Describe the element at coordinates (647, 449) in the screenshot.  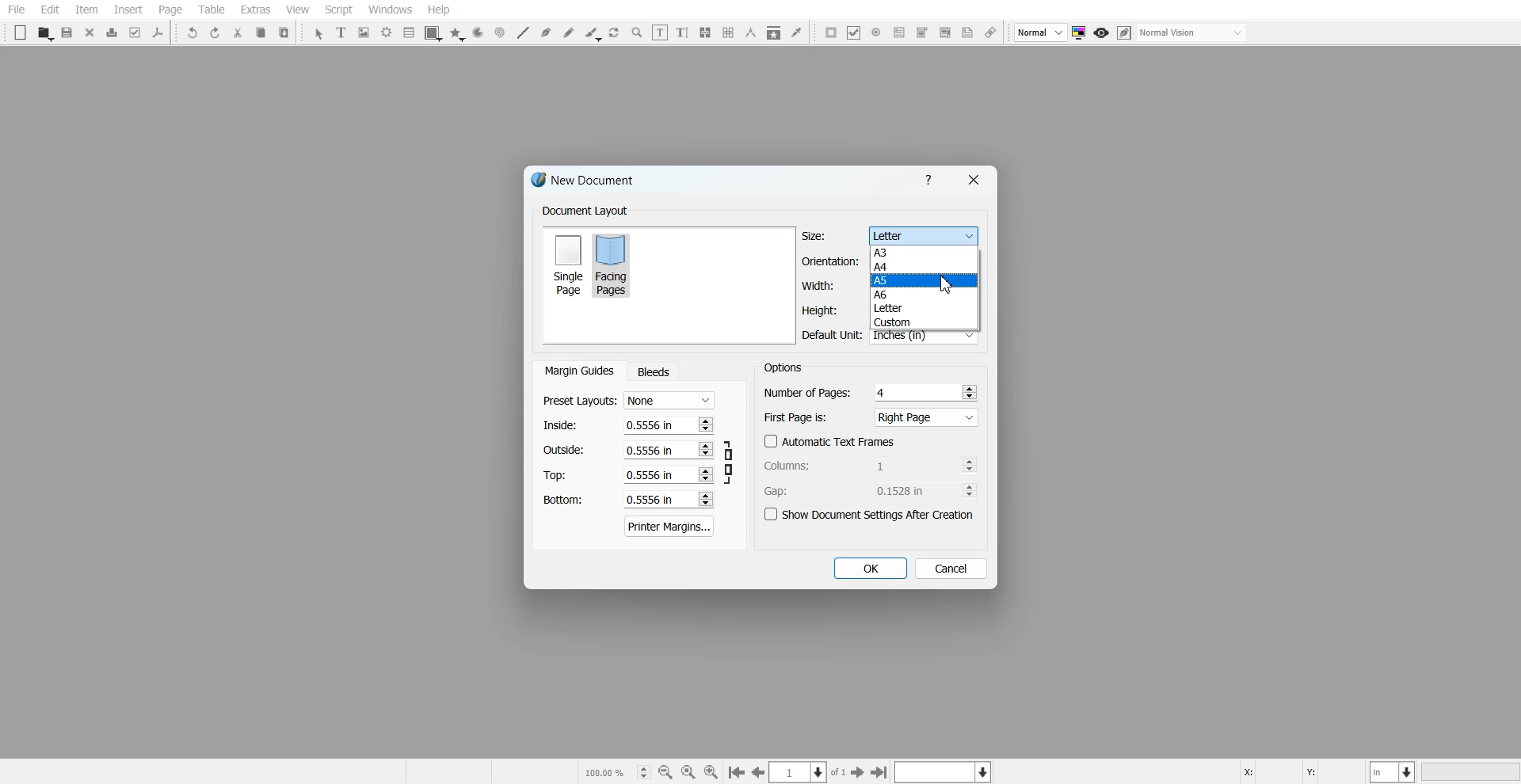
I see `0.5556 in` at that location.